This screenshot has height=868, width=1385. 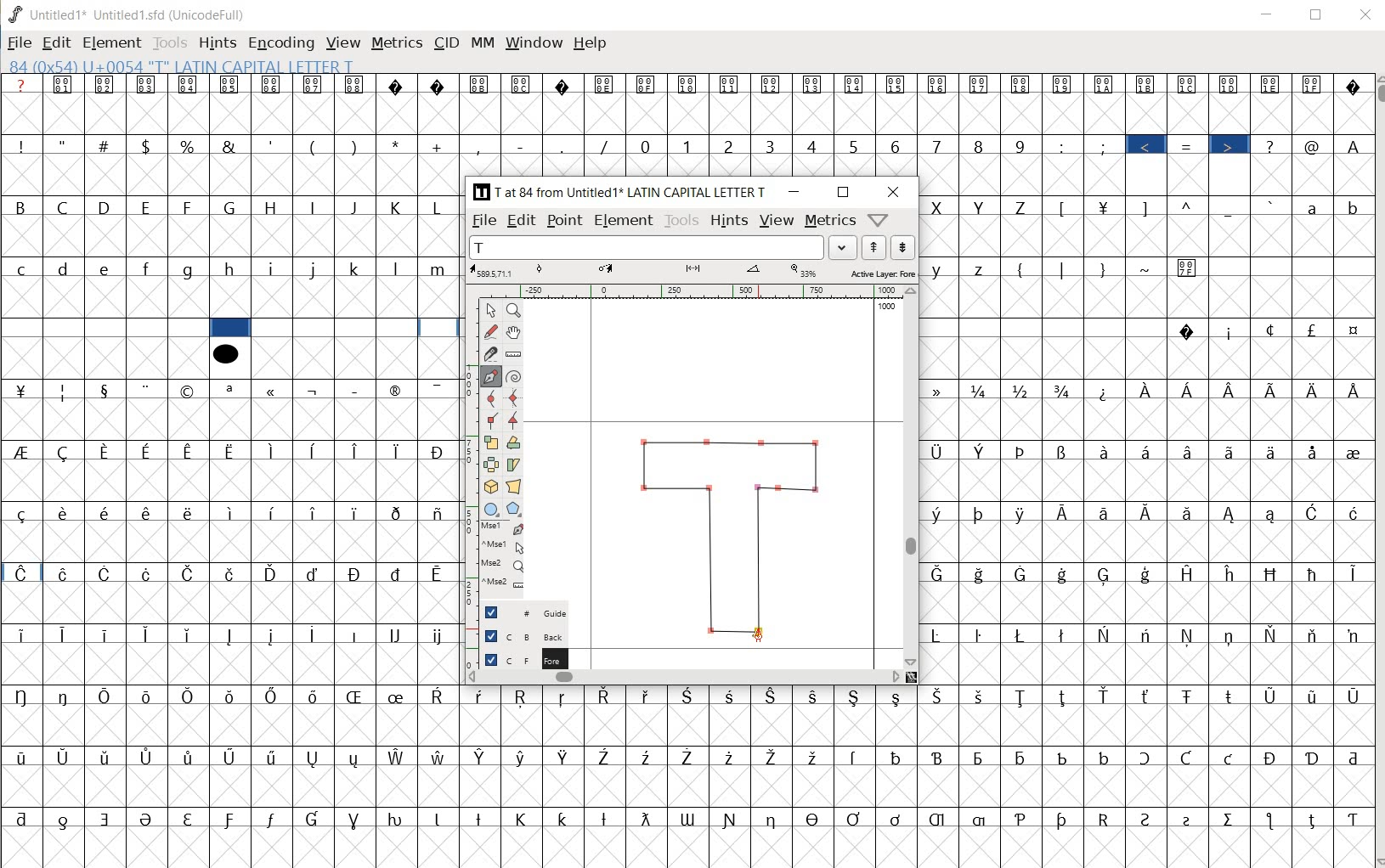 What do you see at coordinates (274, 86) in the screenshot?
I see `Symbol` at bounding box center [274, 86].